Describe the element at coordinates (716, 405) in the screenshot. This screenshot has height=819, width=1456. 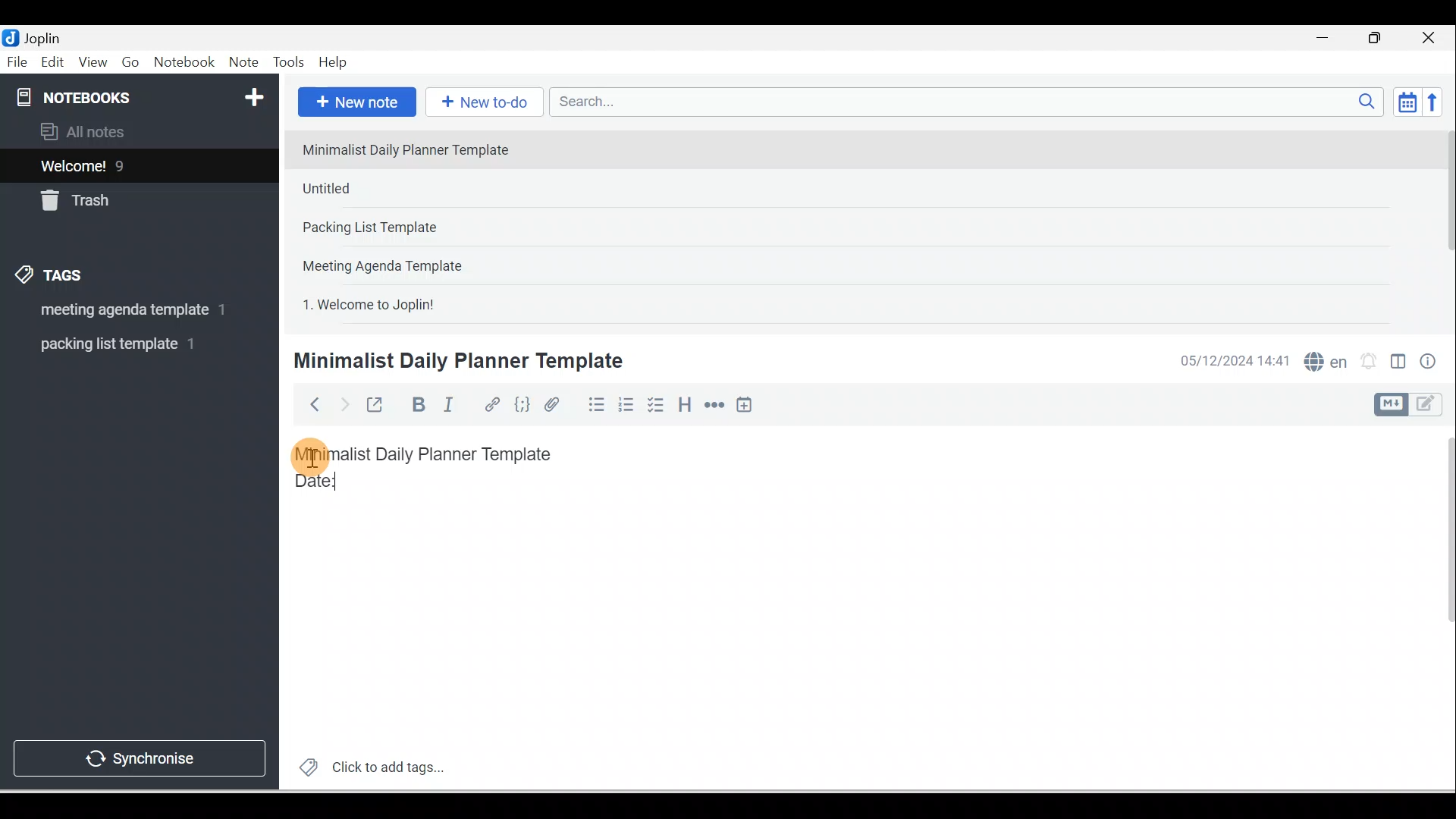
I see `Horizontal rule` at that location.